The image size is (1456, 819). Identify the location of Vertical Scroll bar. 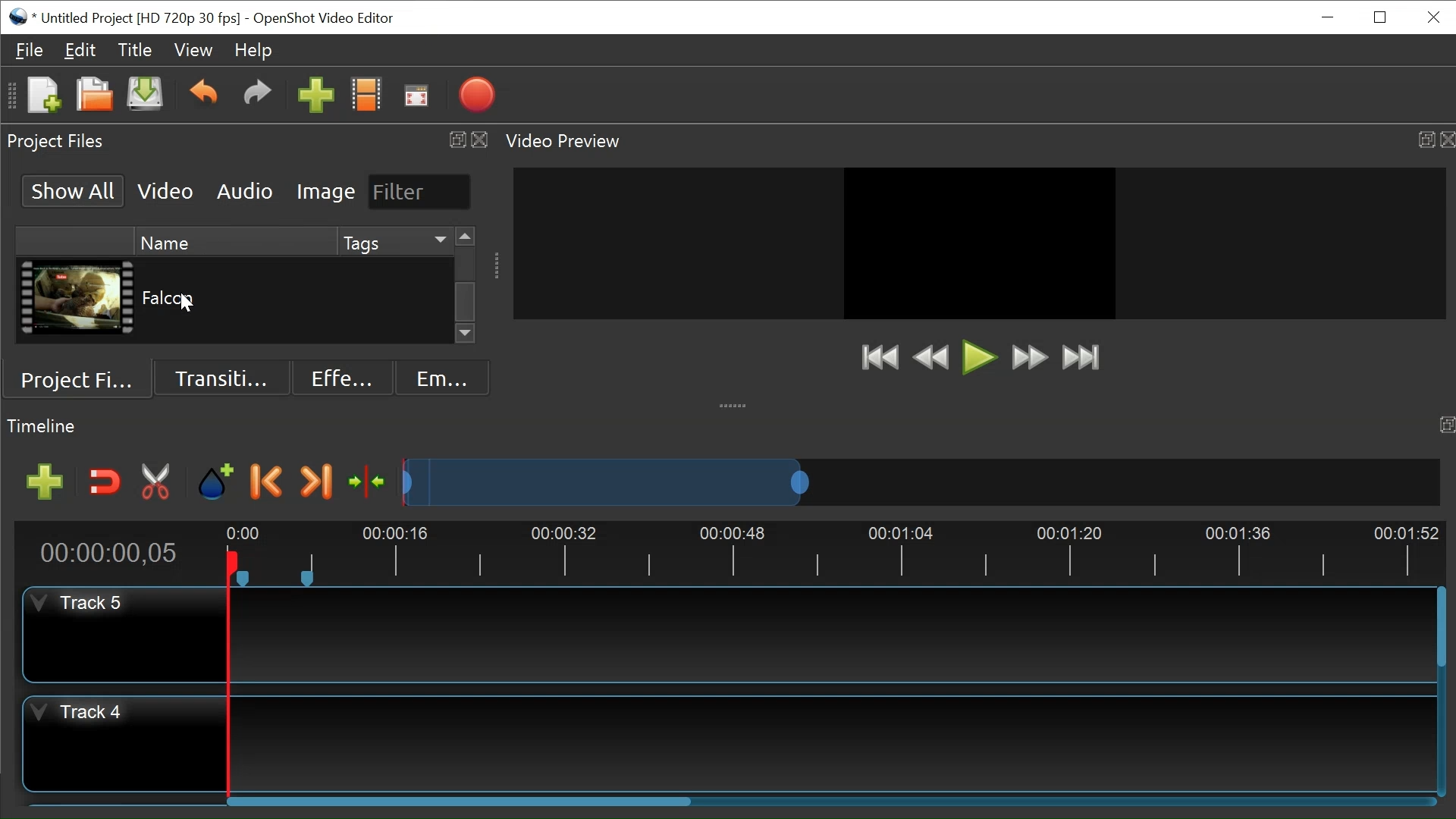
(1439, 629).